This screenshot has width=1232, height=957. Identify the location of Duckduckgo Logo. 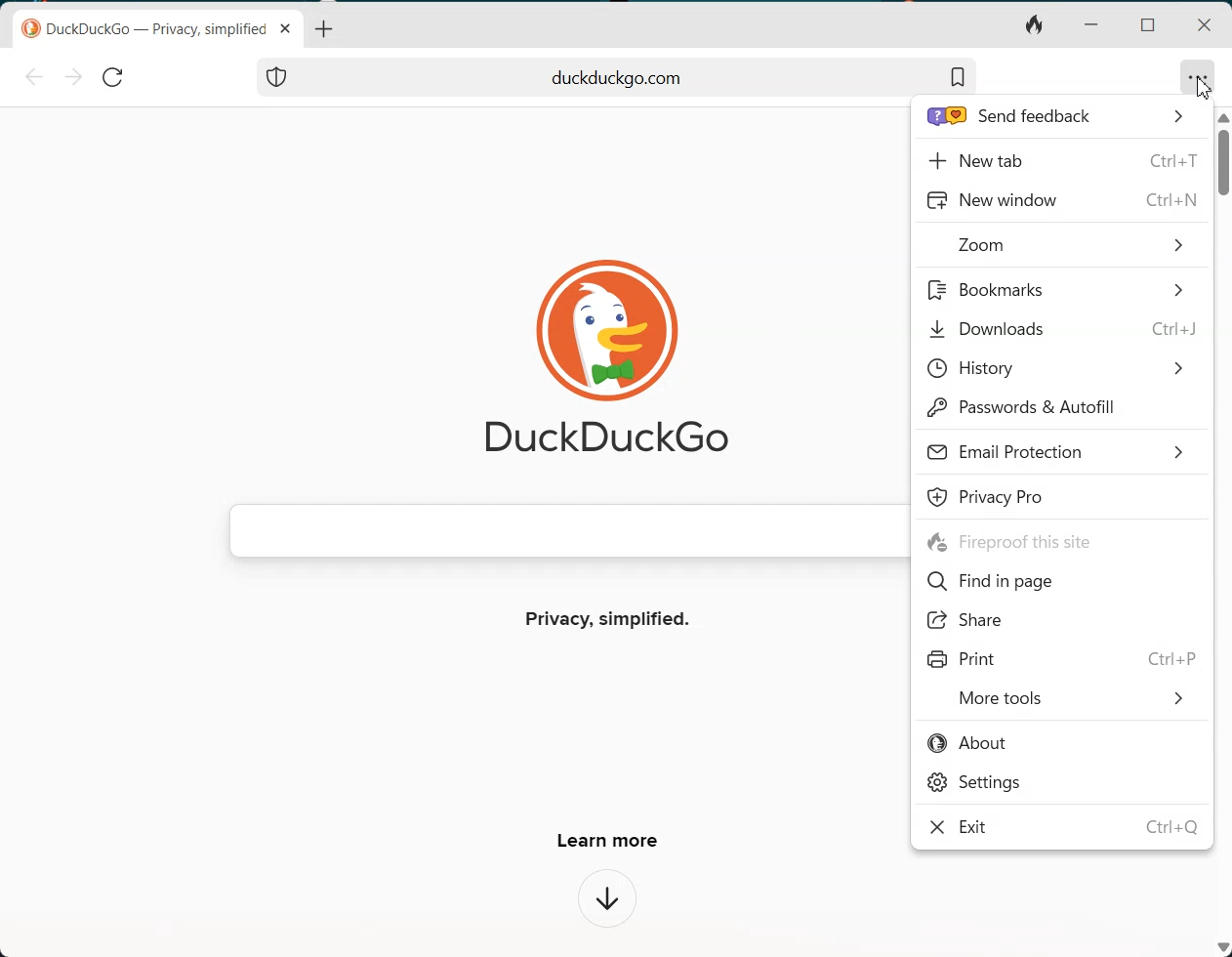
(602, 340).